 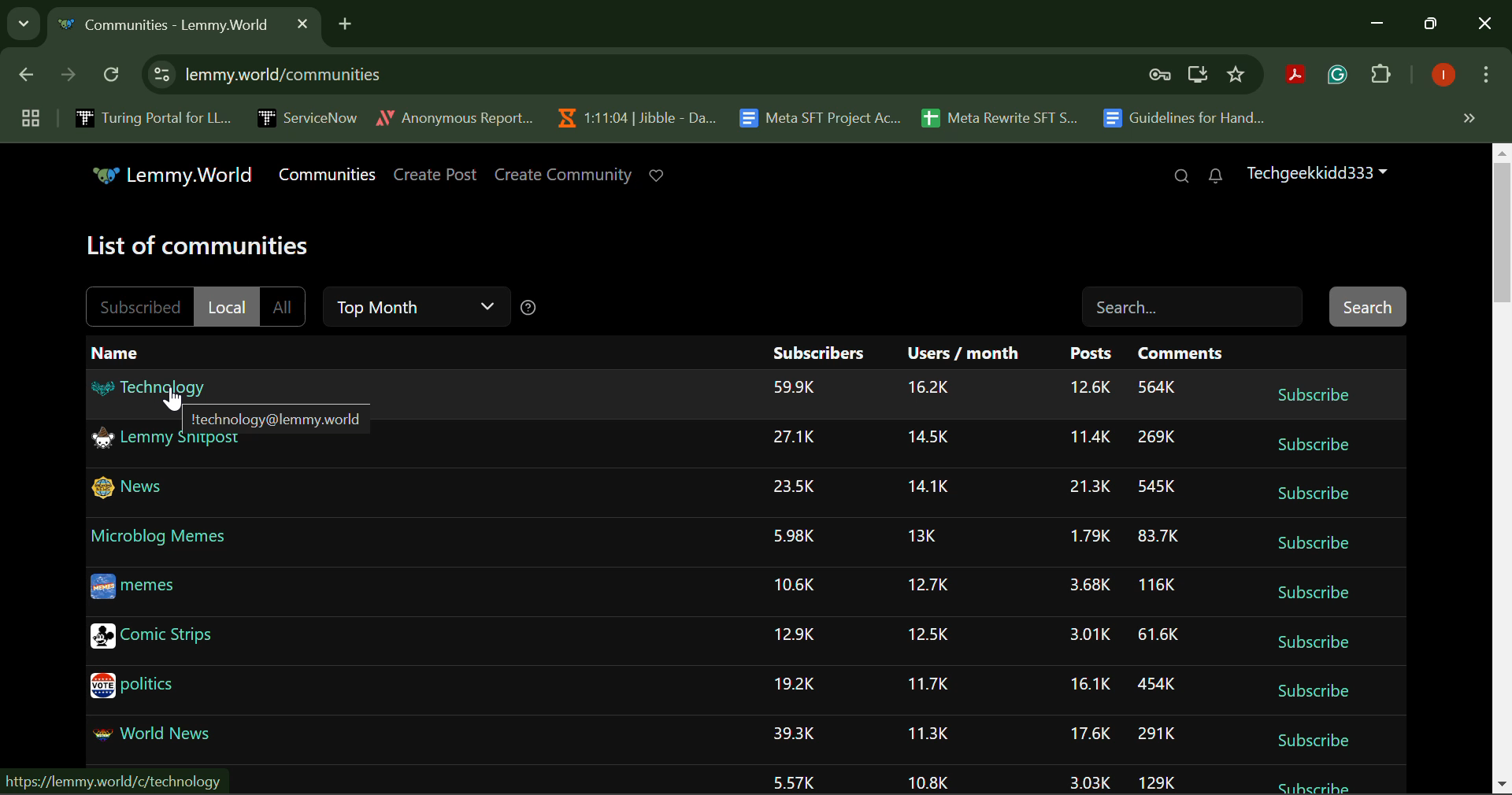 What do you see at coordinates (143, 588) in the screenshot?
I see `memes Community Link` at bounding box center [143, 588].